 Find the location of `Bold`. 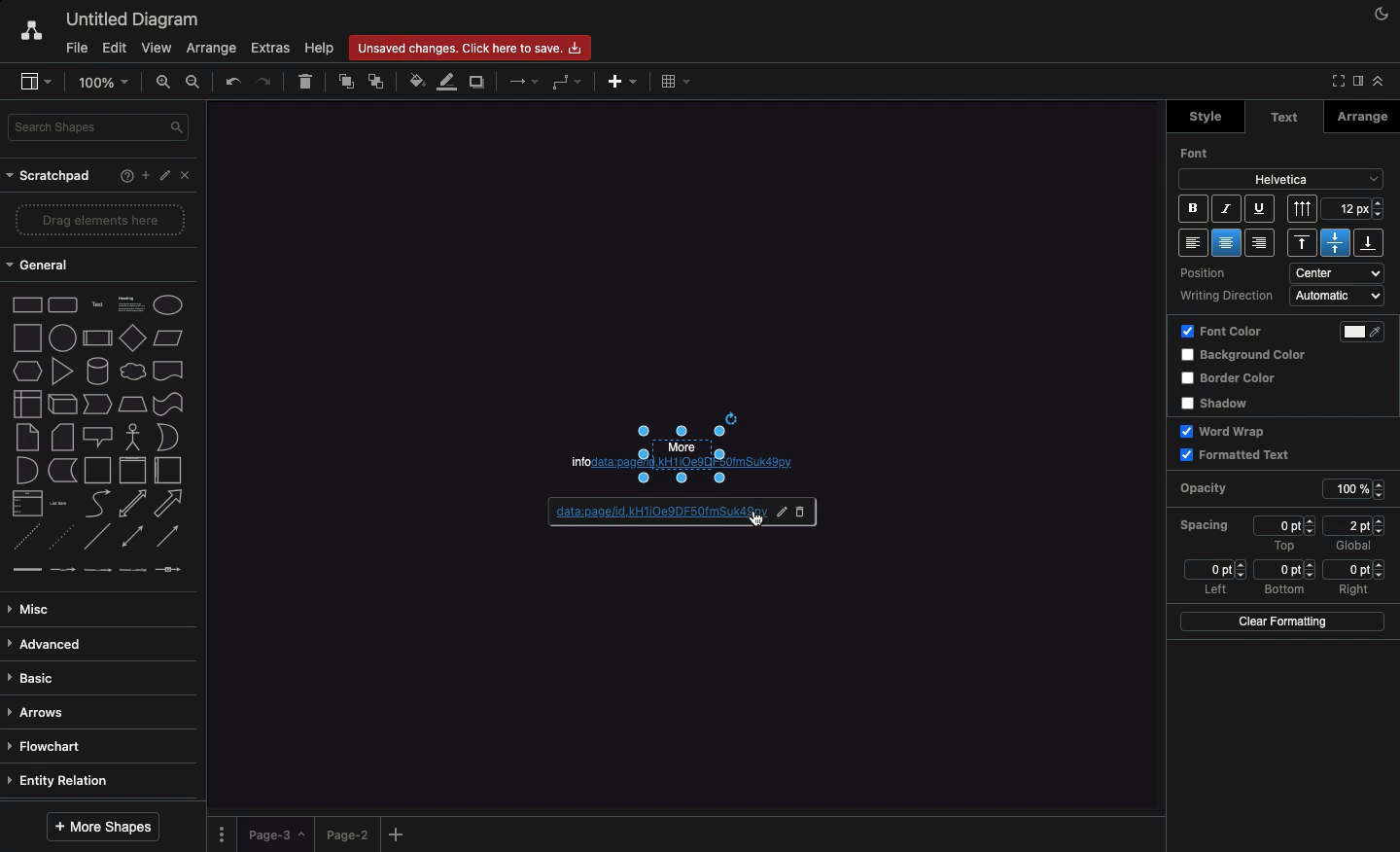

Bold is located at coordinates (1192, 208).